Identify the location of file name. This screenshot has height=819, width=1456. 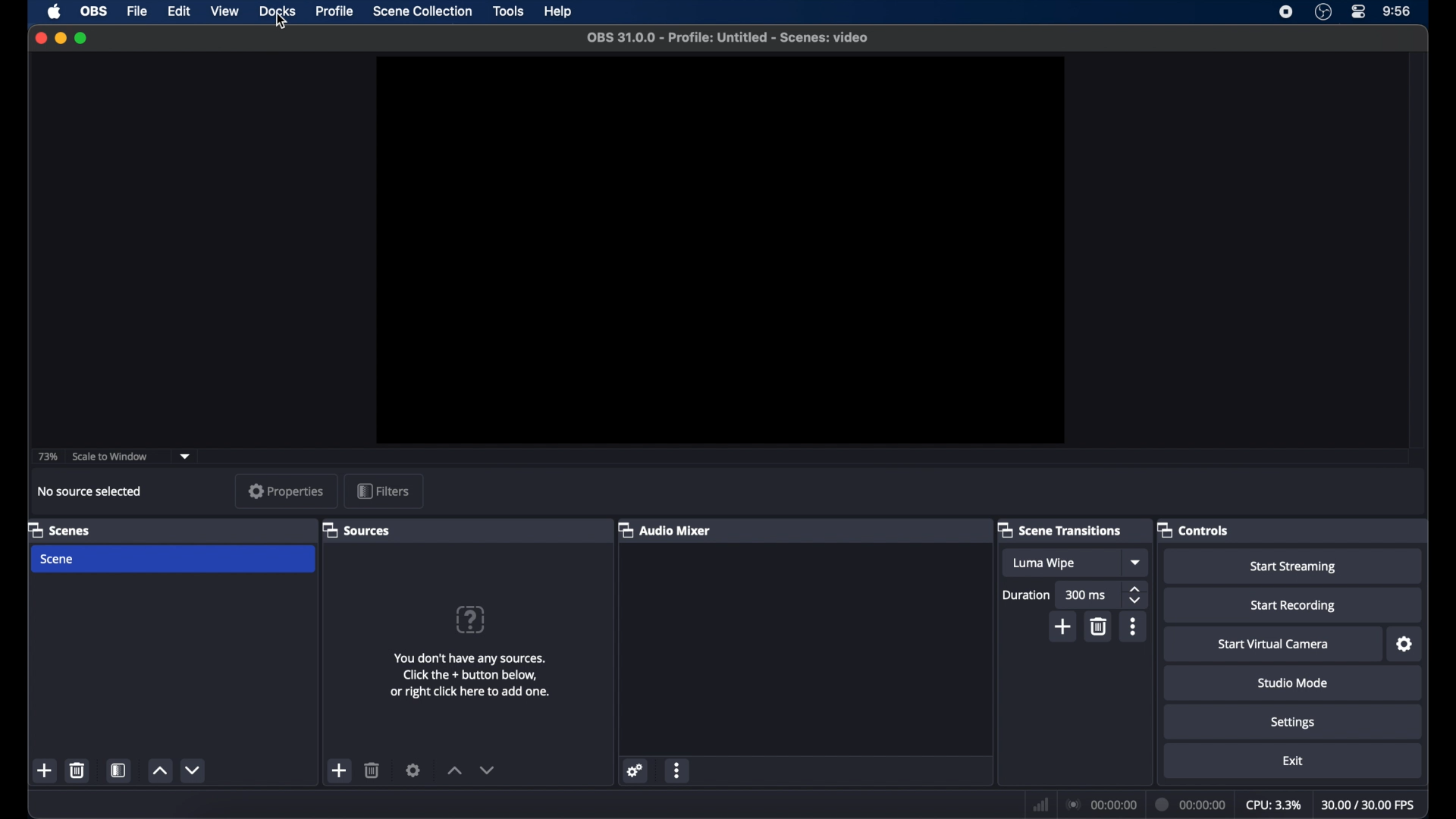
(727, 38).